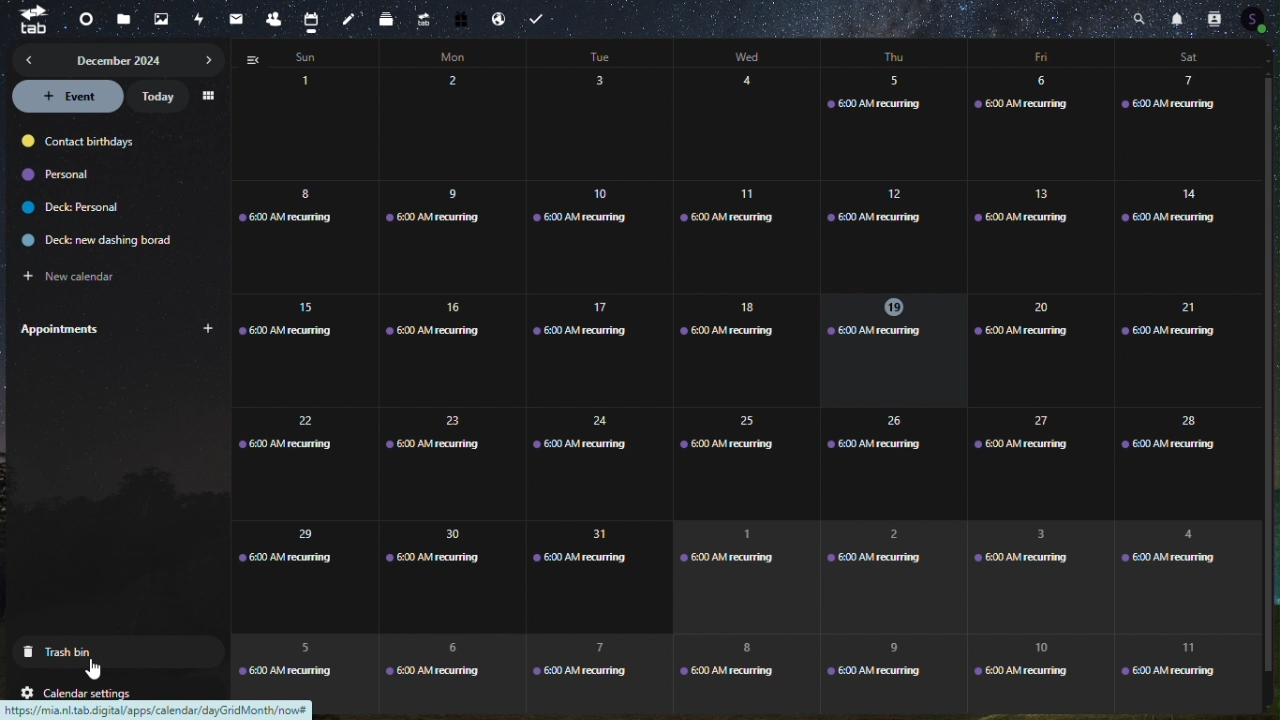 Image resolution: width=1280 pixels, height=720 pixels. Describe the element at coordinates (1256, 21) in the screenshot. I see `Account icon contacts` at that location.